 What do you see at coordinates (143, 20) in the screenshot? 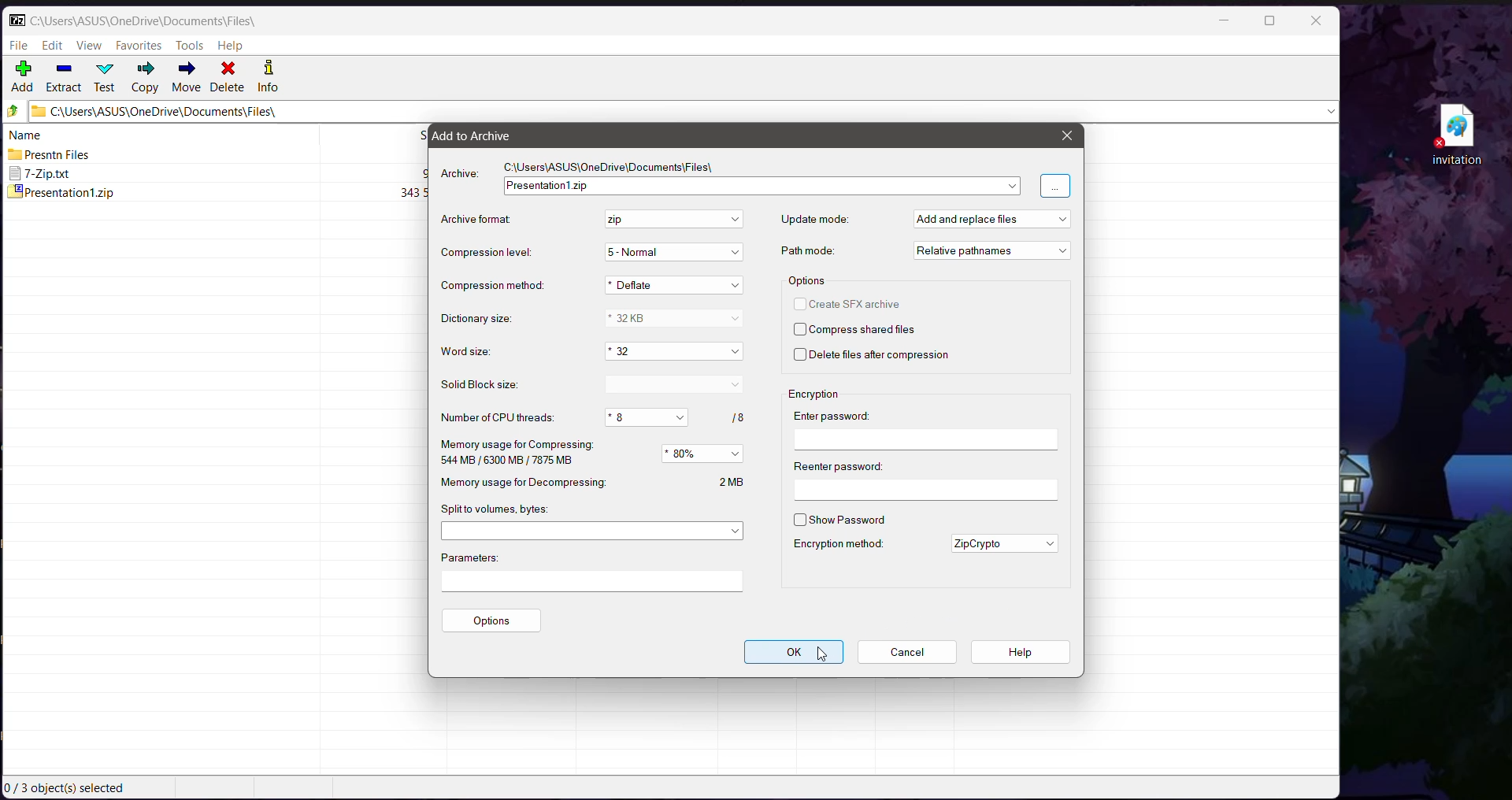
I see `Current Folder Path` at bounding box center [143, 20].